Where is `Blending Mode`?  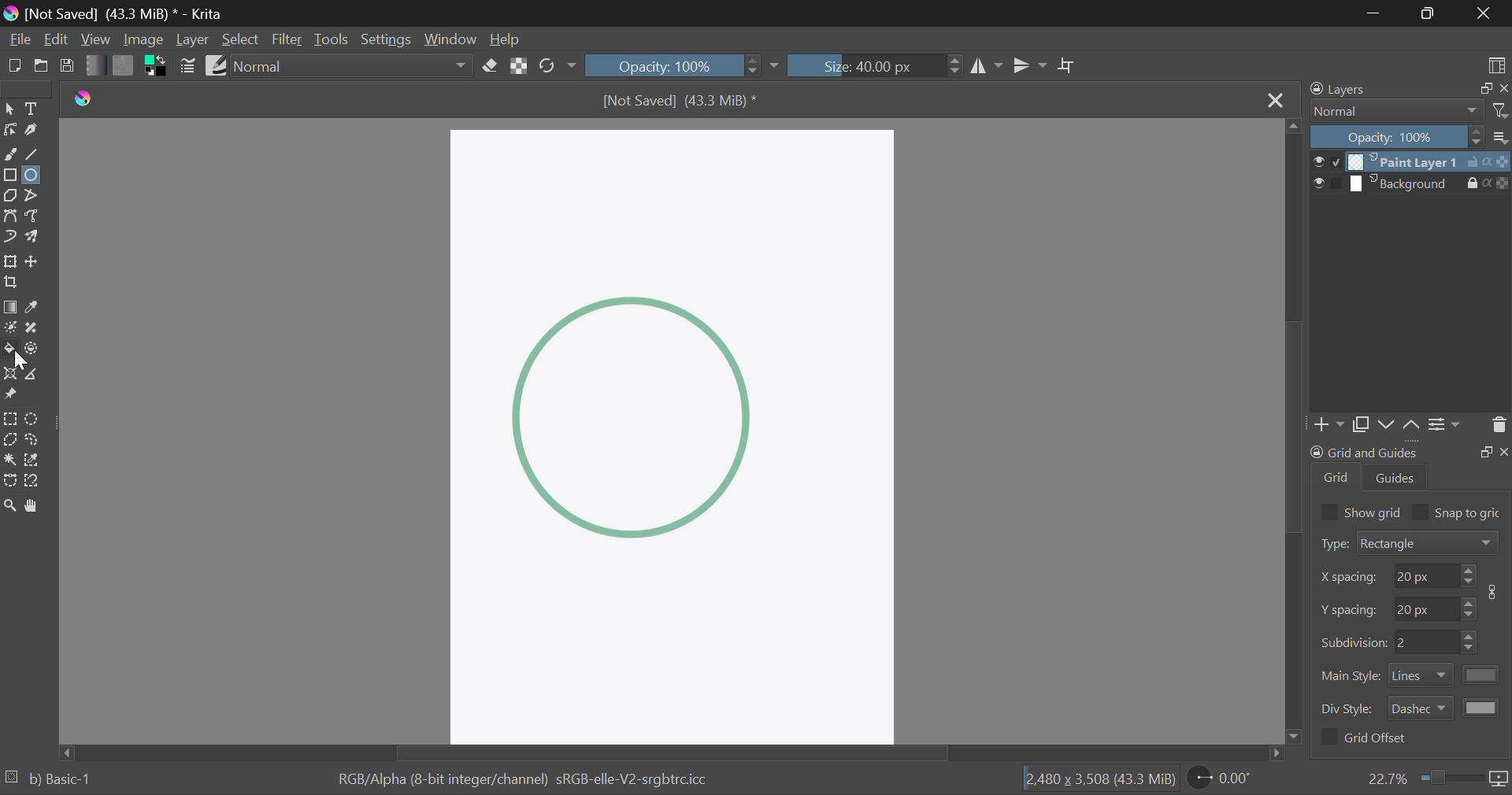
Blending Mode is located at coordinates (354, 66).